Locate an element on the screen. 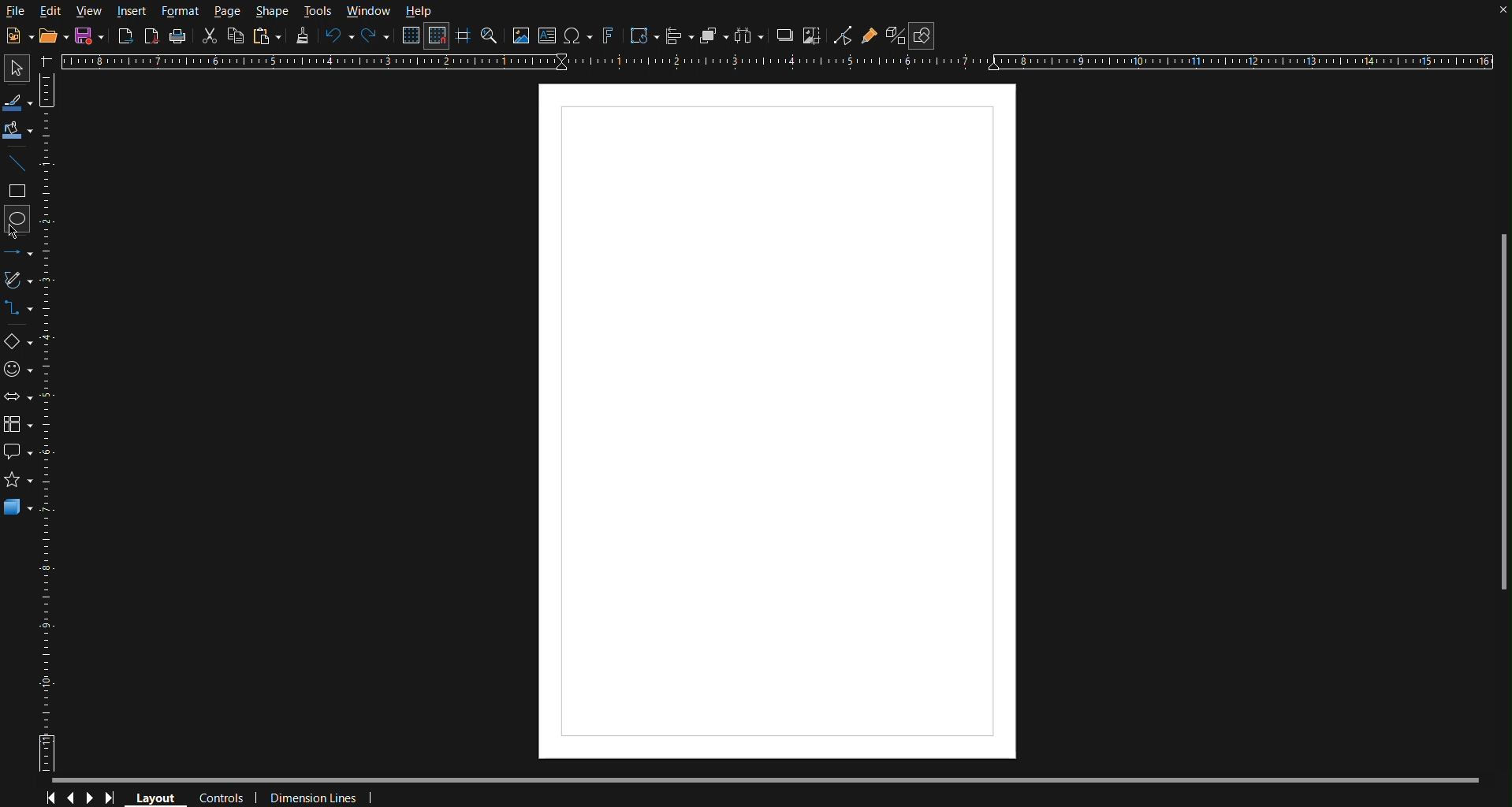 This screenshot has height=807, width=1512. Line Color is located at coordinates (20, 101).